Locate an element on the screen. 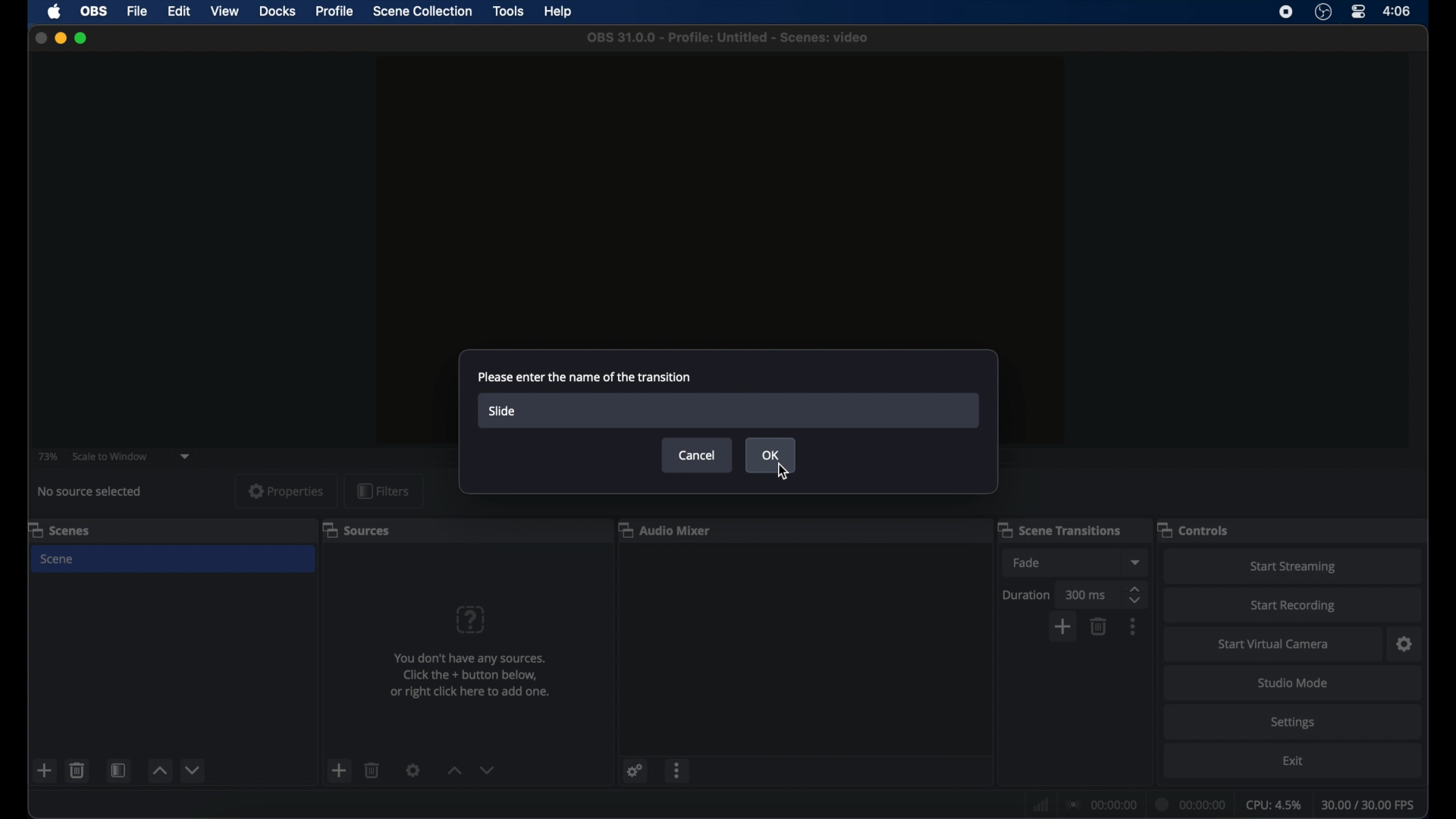 The image size is (1456, 819). control center is located at coordinates (1359, 12).